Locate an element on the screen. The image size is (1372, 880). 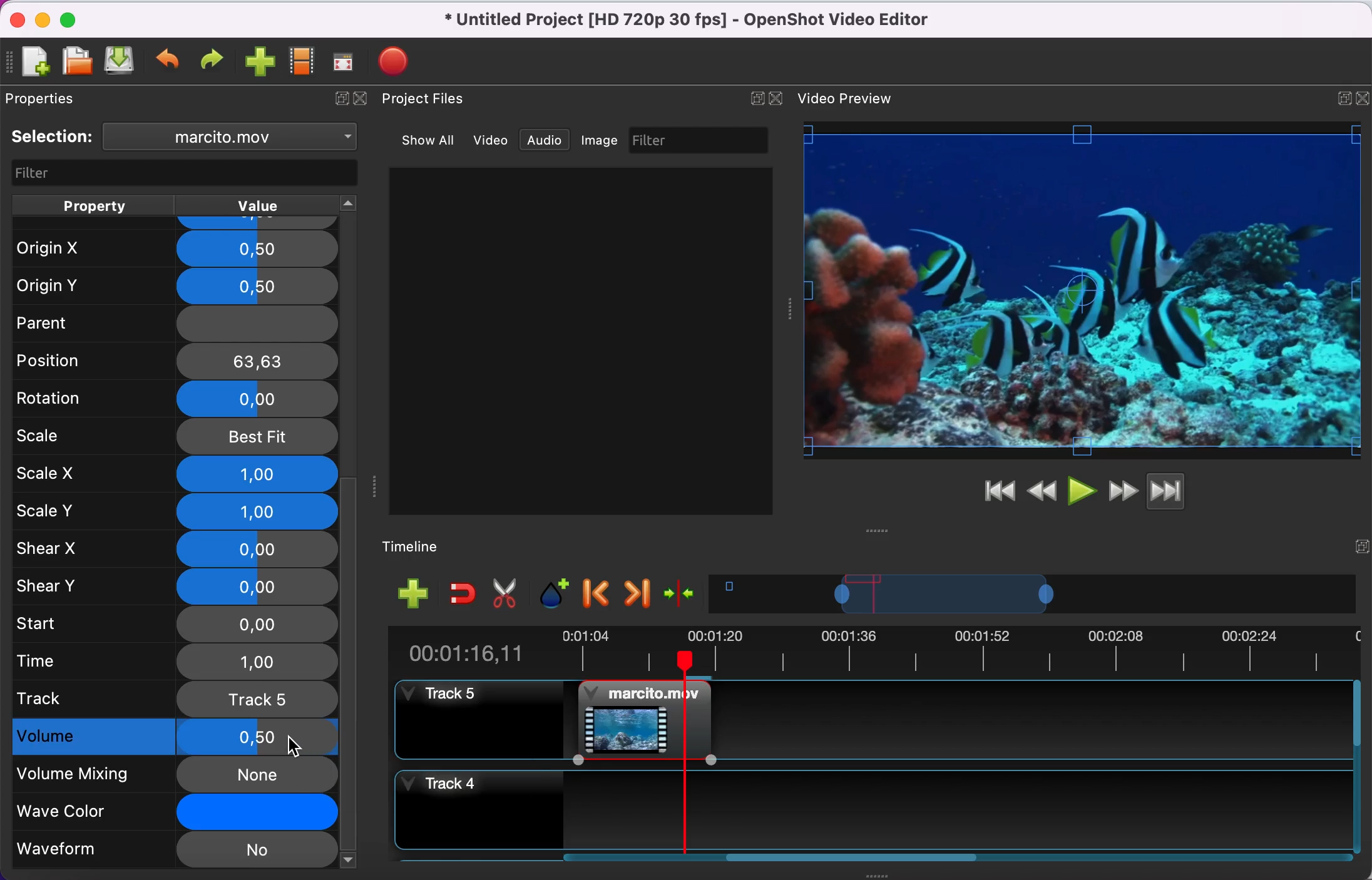
scale x 1 is located at coordinates (174, 473).